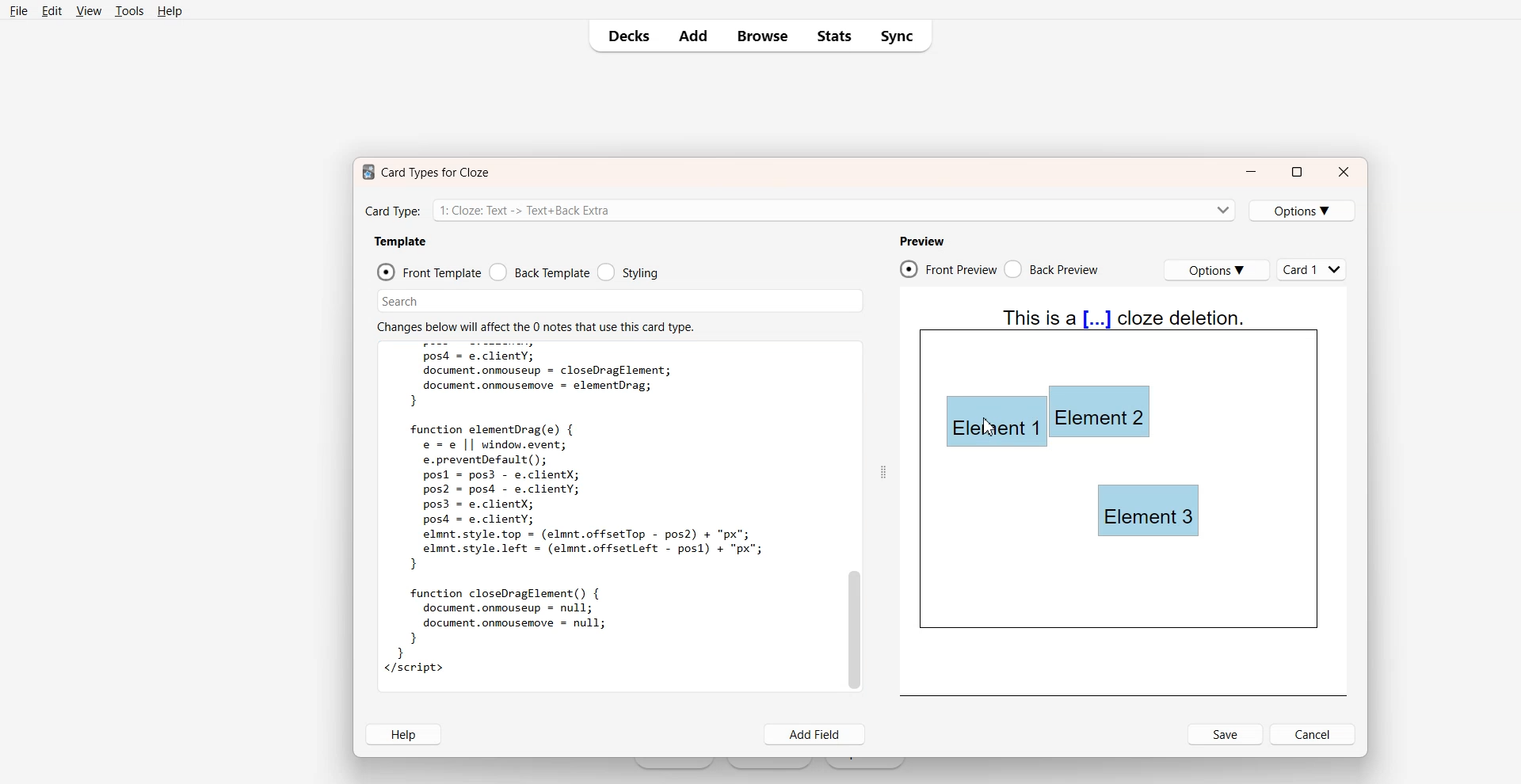  I want to click on Tools, so click(128, 11).